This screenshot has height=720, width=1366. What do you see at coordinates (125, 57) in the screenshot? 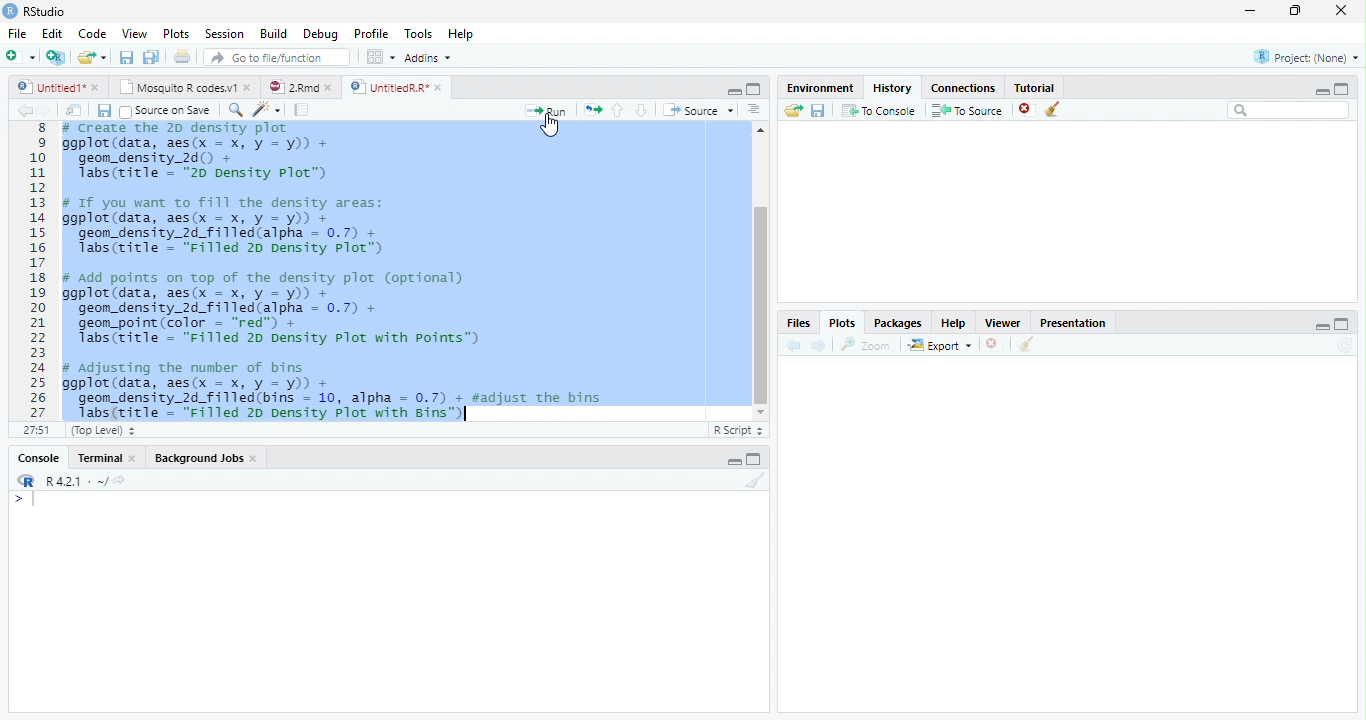
I see `save current document` at bounding box center [125, 57].